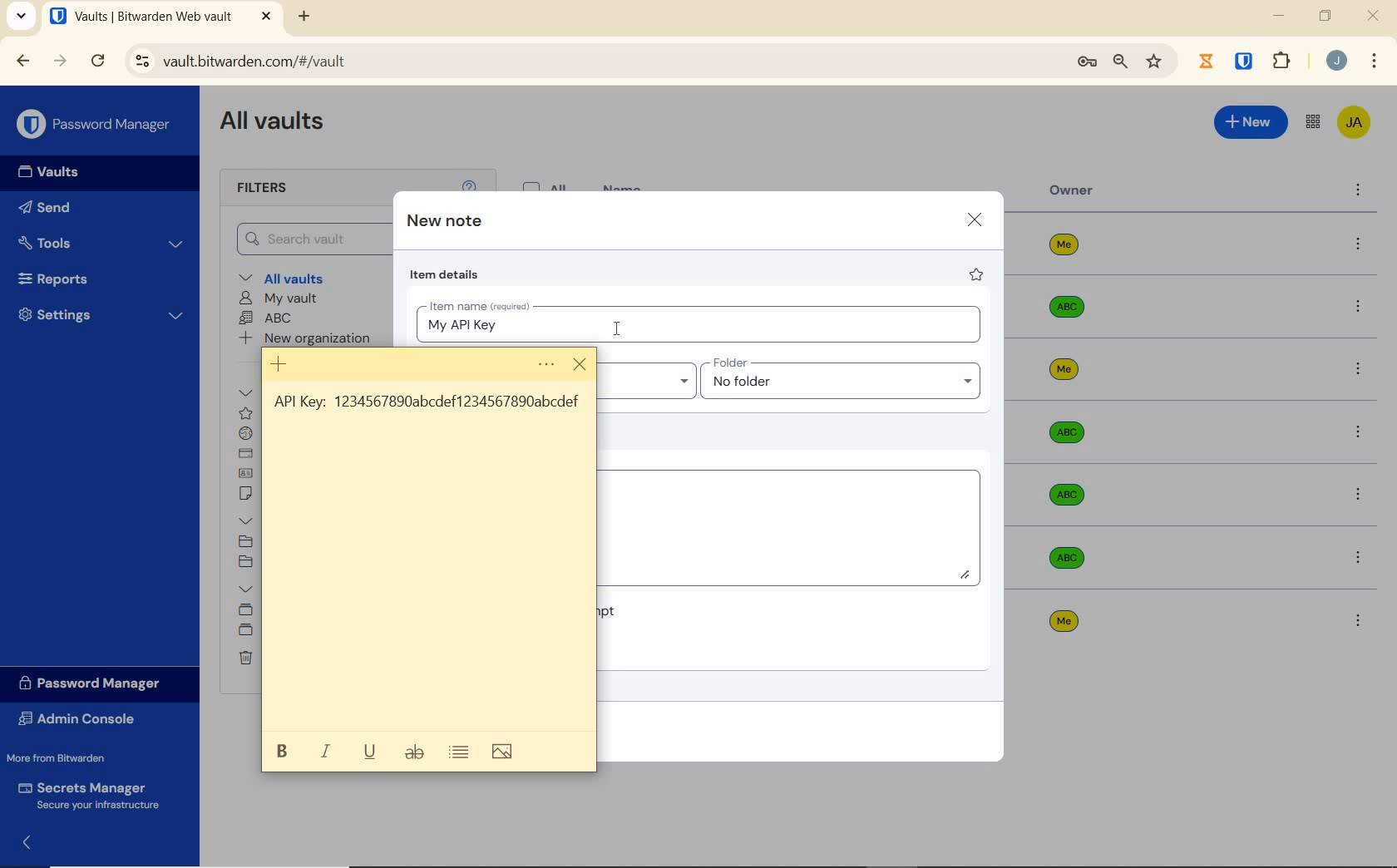 The height and width of the screenshot is (868, 1397). Describe the element at coordinates (23, 60) in the screenshot. I see `BACK` at that location.